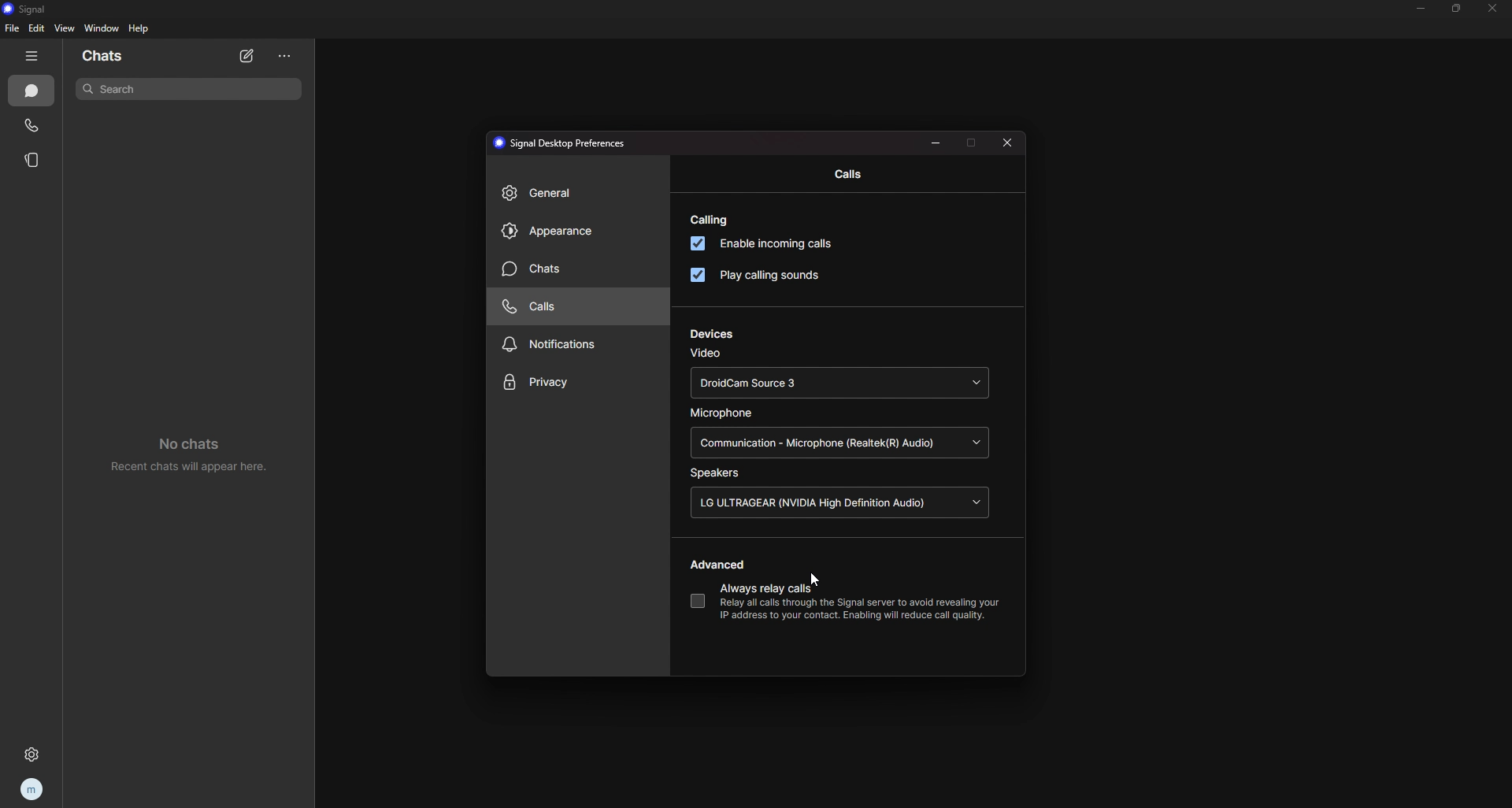 This screenshot has height=808, width=1512. I want to click on close, so click(1010, 145).